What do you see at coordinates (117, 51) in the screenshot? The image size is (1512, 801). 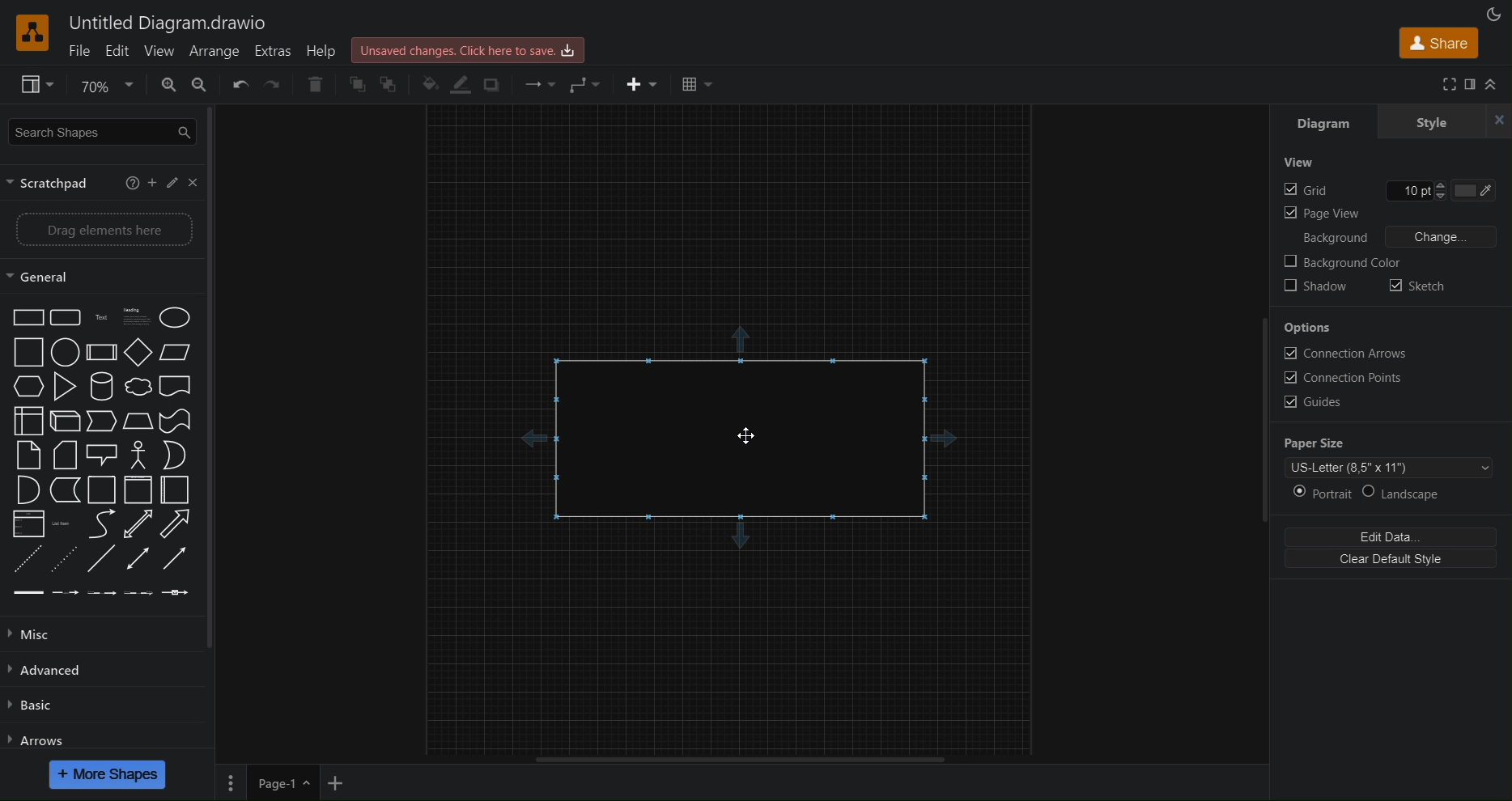 I see `Edit` at bounding box center [117, 51].